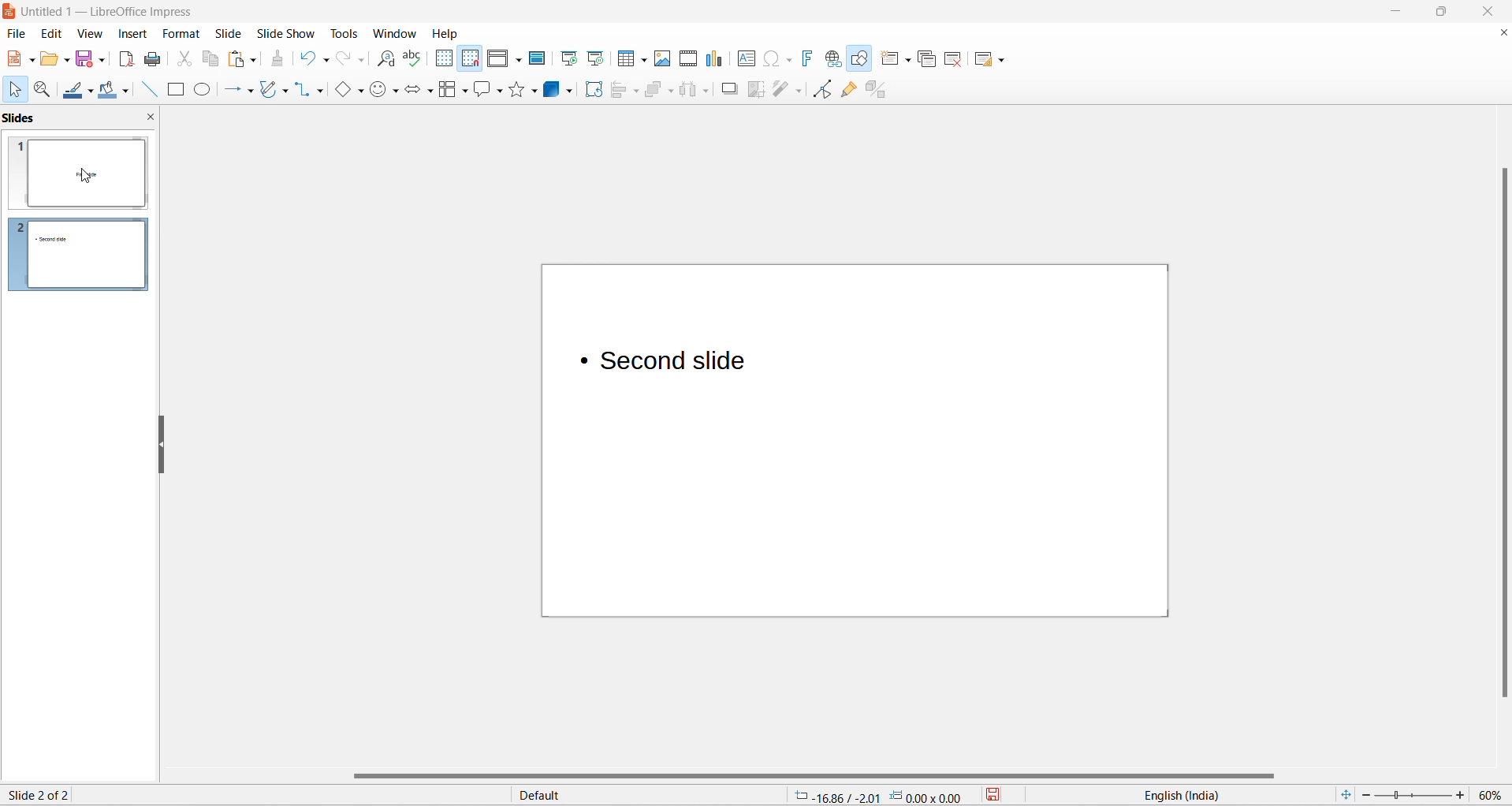 The height and width of the screenshot is (806, 1512). What do you see at coordinates (634, 91) in the screenshot?
I see `align object options` at bounding box center [634, 91].